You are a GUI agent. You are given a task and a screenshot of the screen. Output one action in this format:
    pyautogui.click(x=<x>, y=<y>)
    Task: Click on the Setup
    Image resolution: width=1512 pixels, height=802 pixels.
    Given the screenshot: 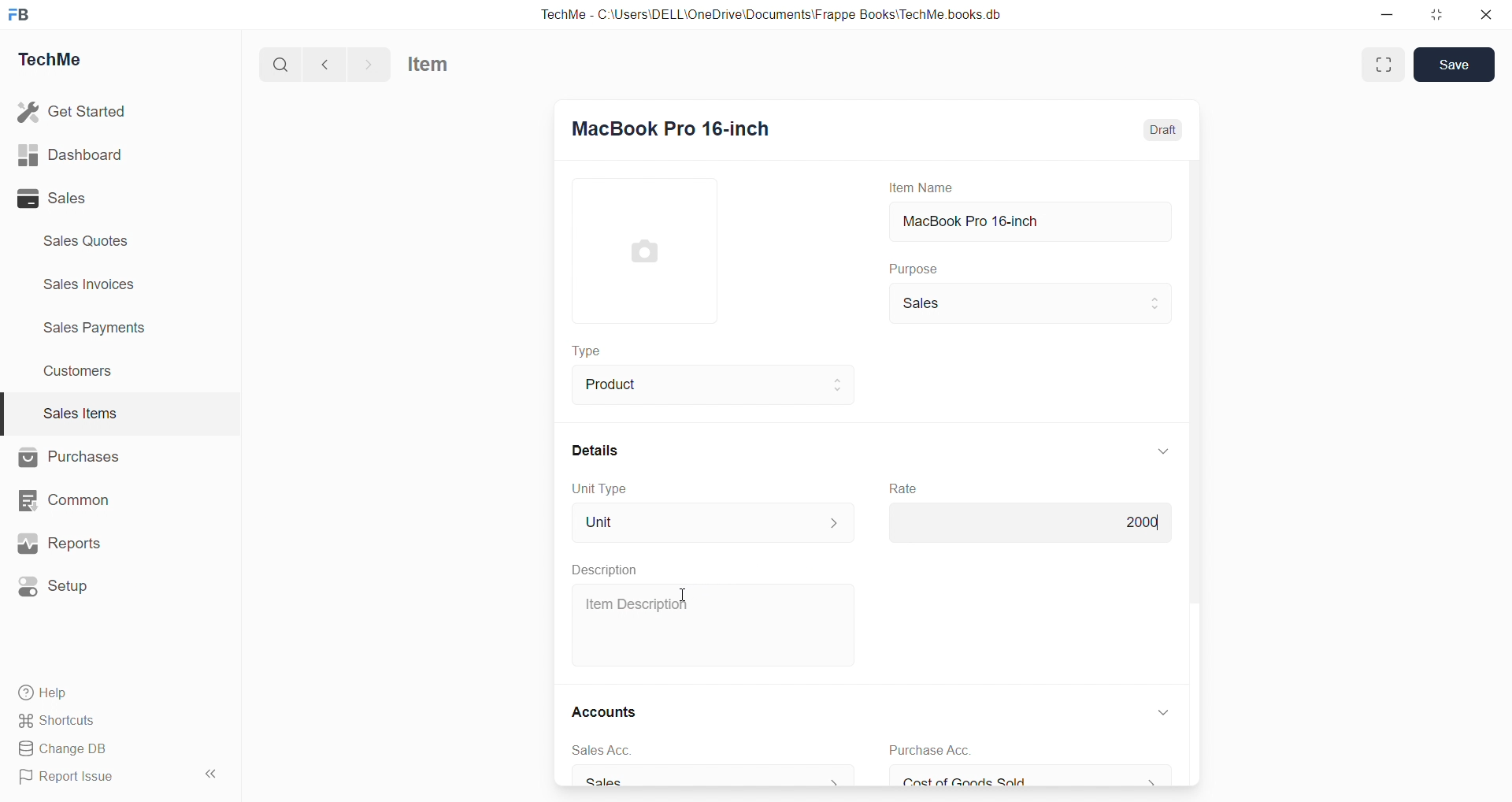 What is the action you would take?
    pyautogui.click(x=59, y=585)
    